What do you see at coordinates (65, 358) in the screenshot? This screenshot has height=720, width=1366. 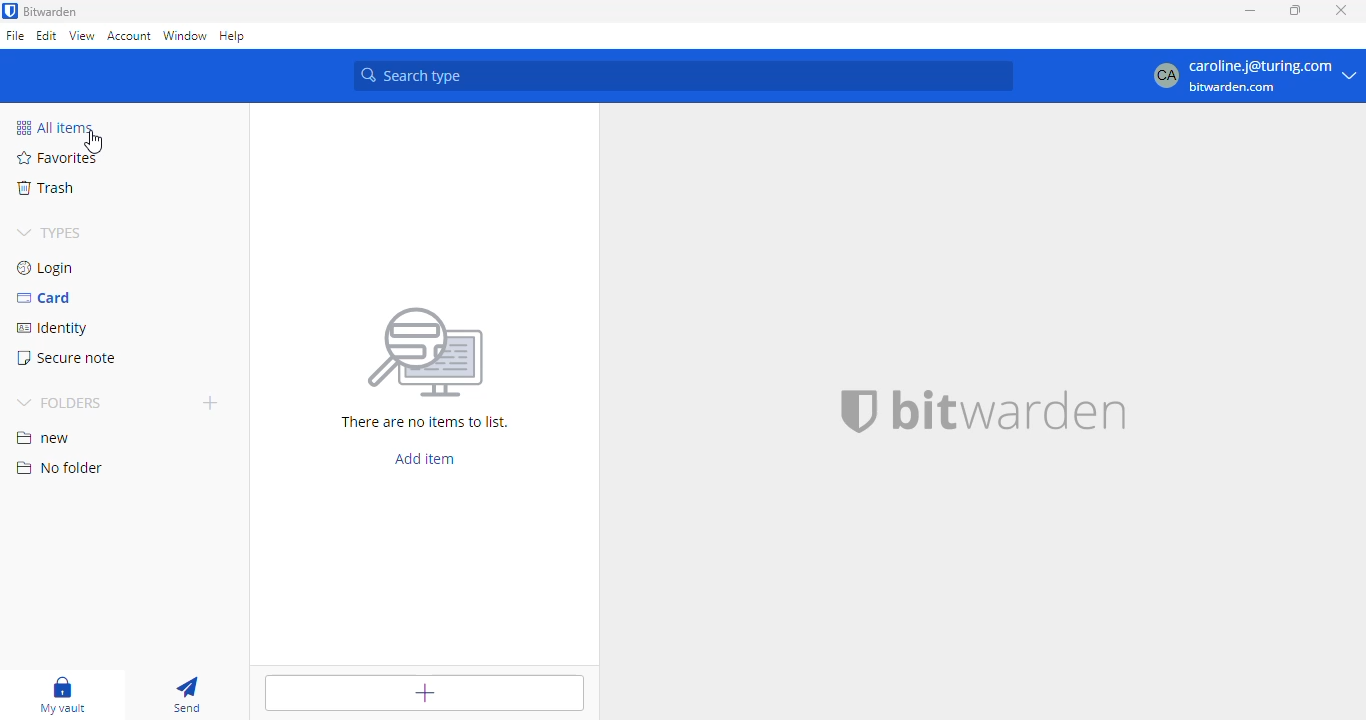 I see `secure note` at bounding box center [65, 358].